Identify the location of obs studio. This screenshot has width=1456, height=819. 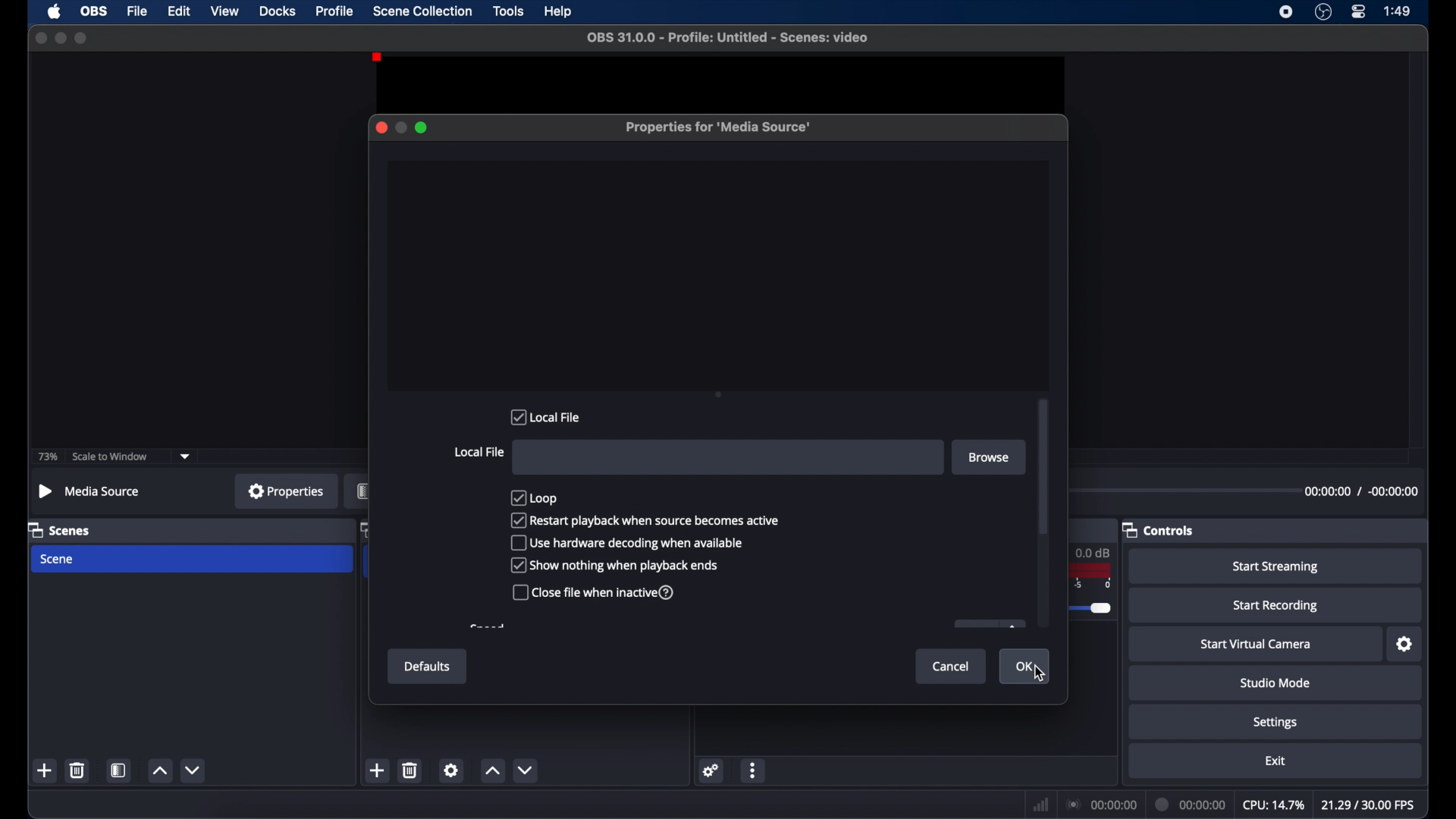
(1323, 12).